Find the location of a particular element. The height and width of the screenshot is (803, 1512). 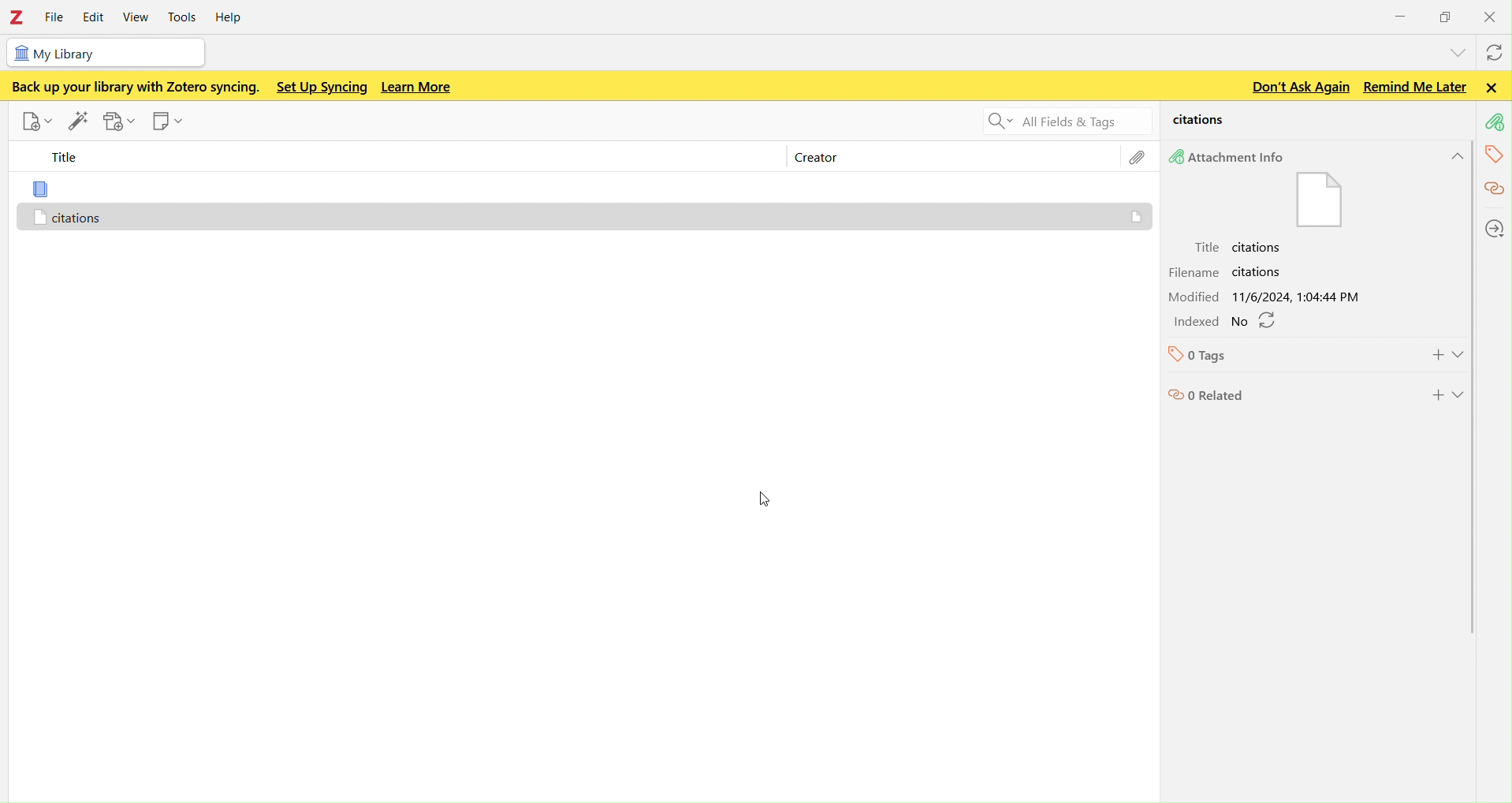

No is located at coordinates (1239, 321).